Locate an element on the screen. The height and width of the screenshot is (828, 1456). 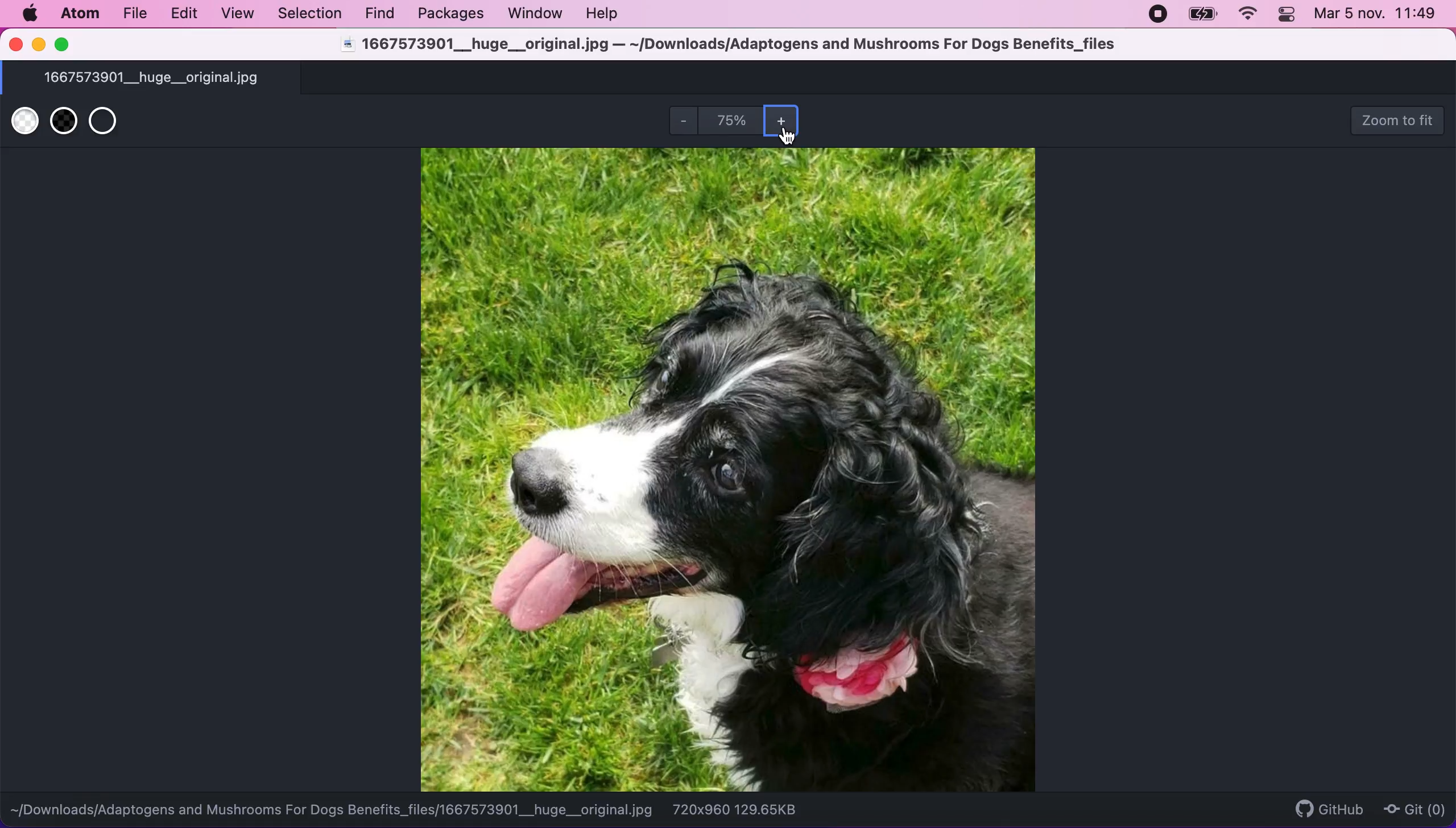
zoom to fit is located at coordinates (1401, 118).